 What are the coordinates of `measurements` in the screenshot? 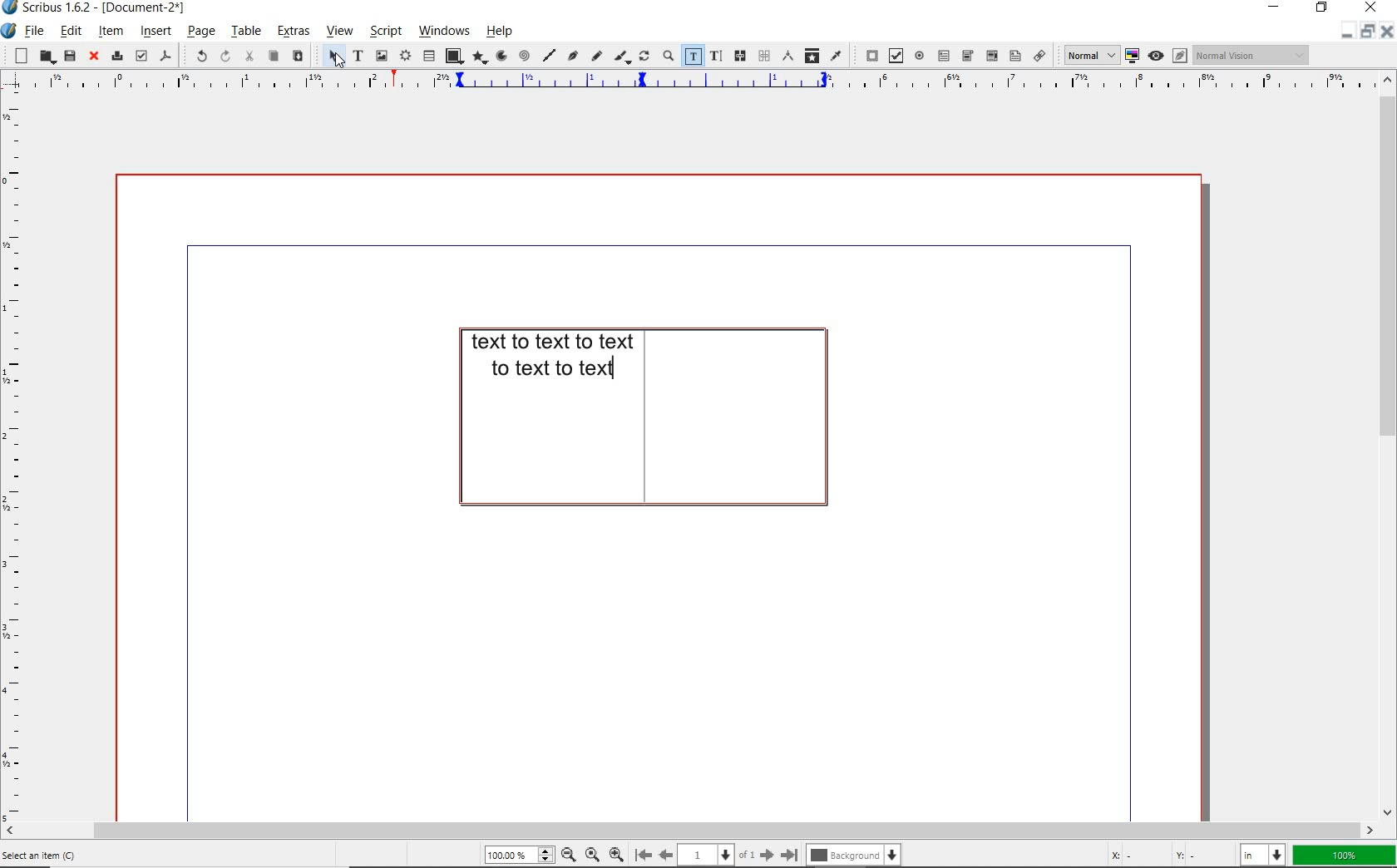 It's located at (786, 57).